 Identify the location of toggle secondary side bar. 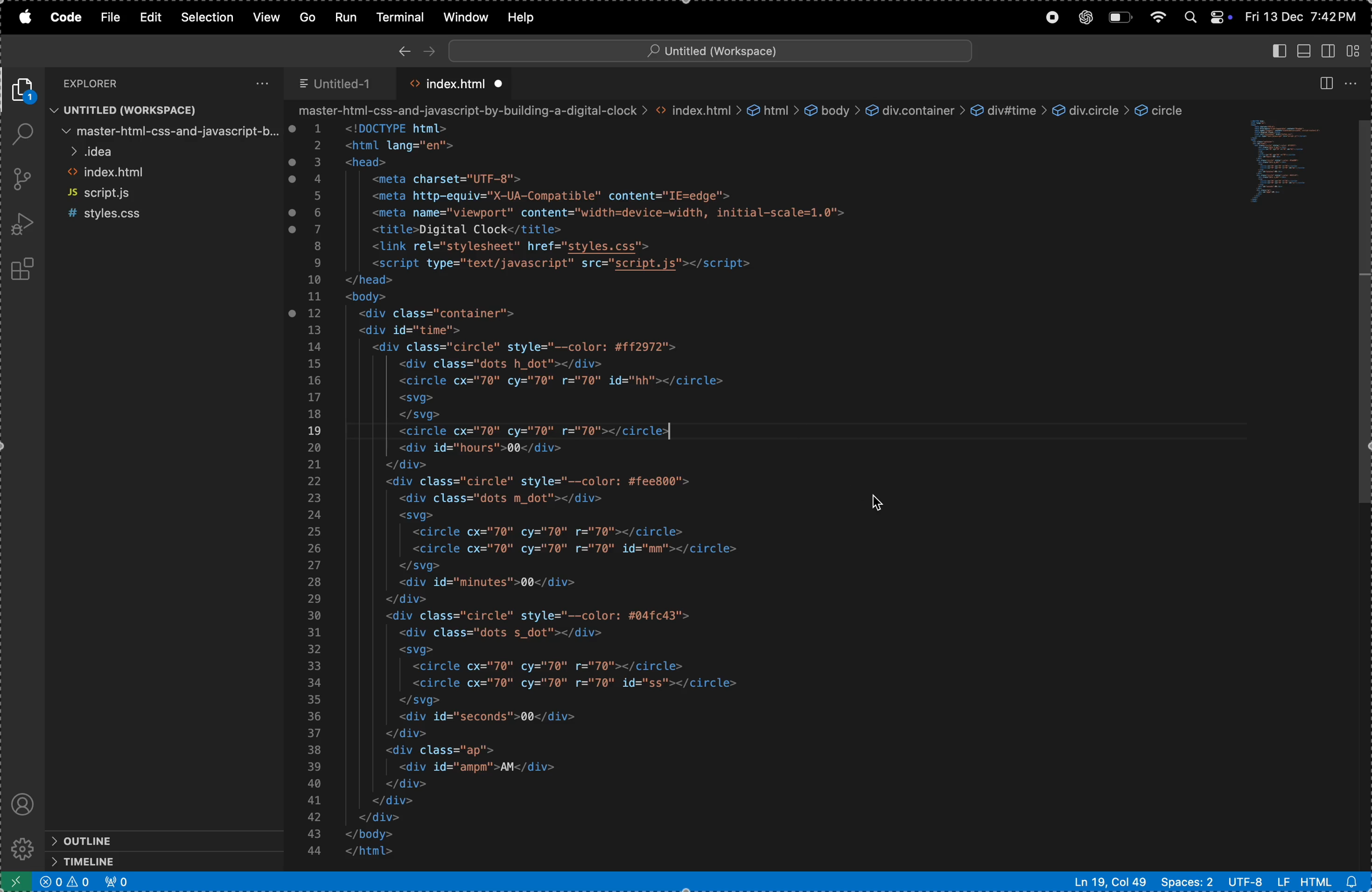
(1330, 50).